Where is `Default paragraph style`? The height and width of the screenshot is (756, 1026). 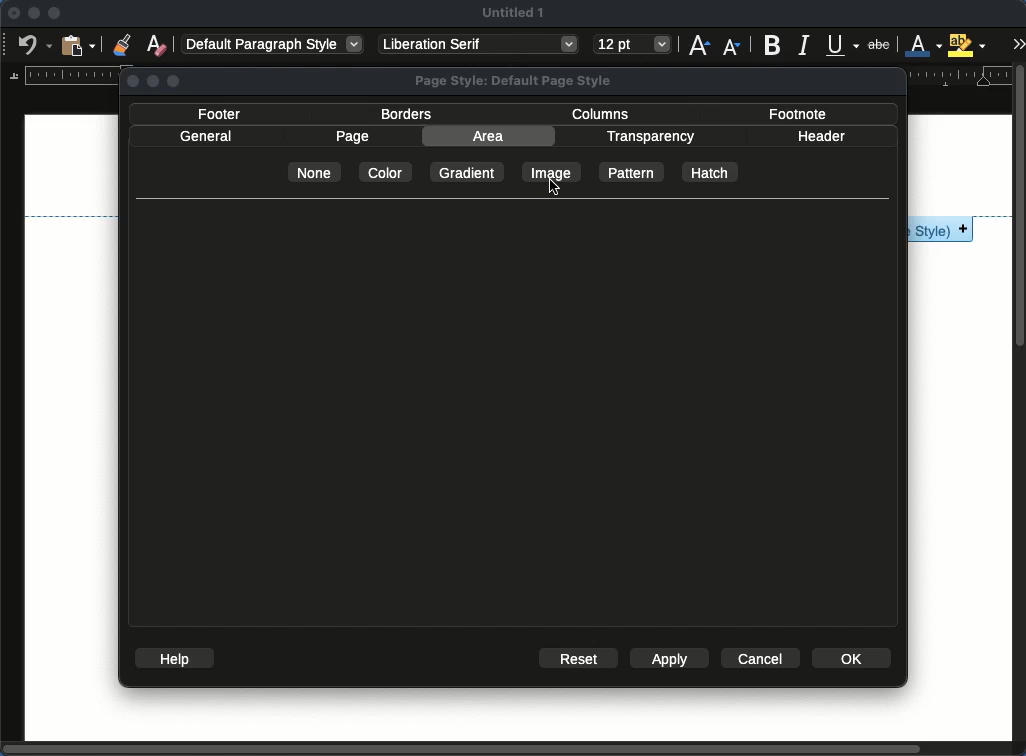
Default paragraph style is located at coordinates (272, 44).